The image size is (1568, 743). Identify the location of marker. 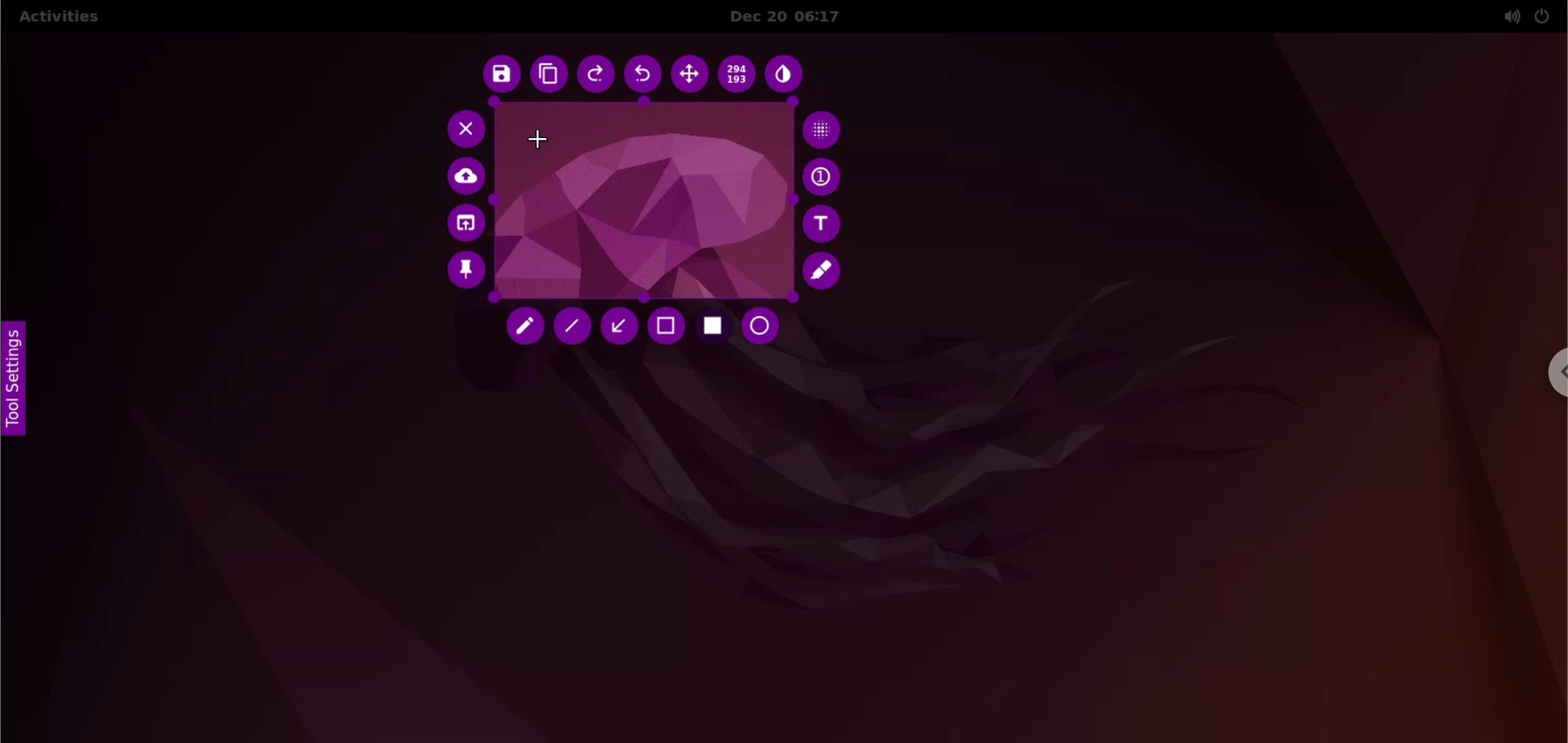
(825, 271).